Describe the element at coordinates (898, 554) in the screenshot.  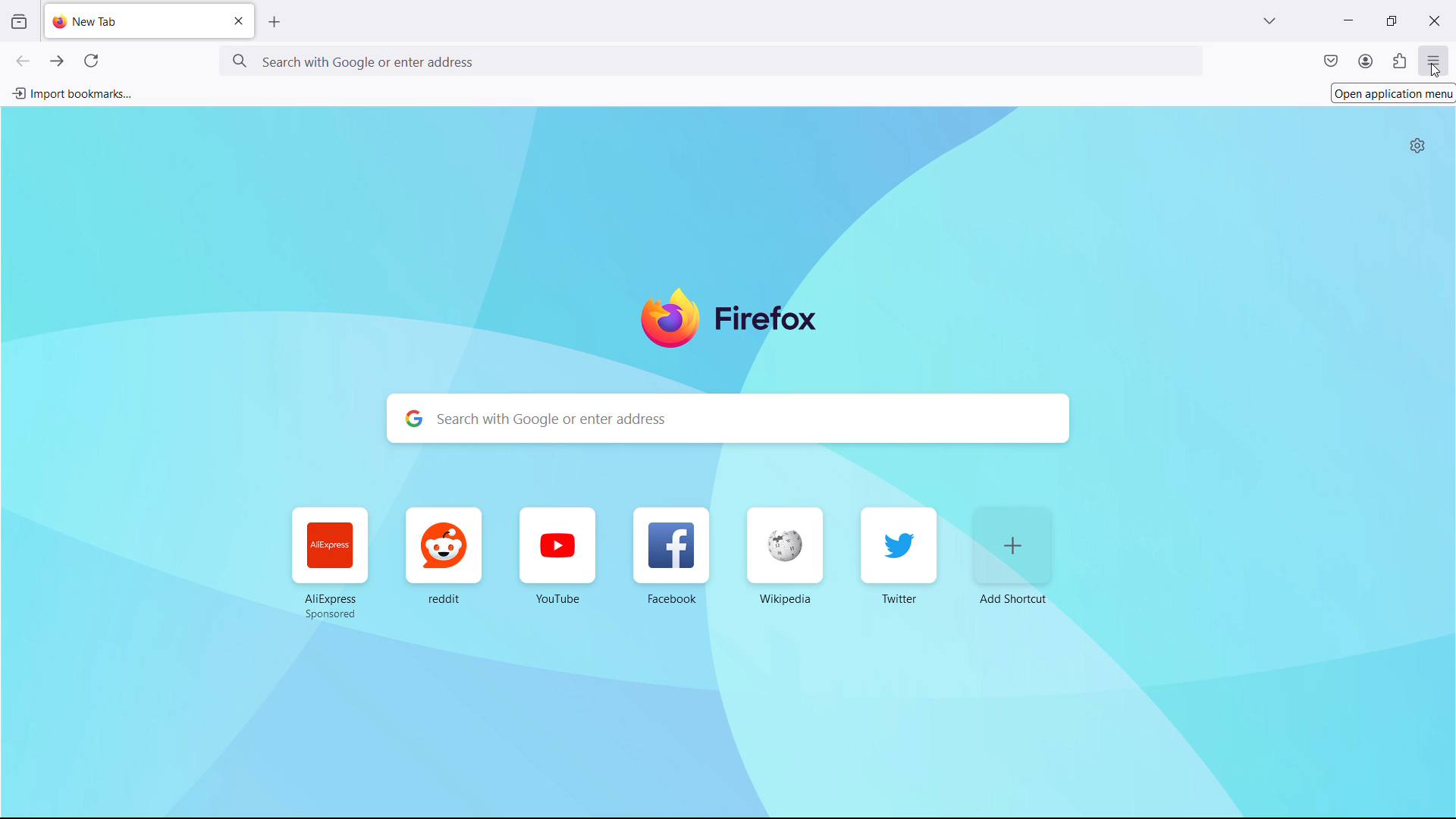
I see `Twitter` at that location.